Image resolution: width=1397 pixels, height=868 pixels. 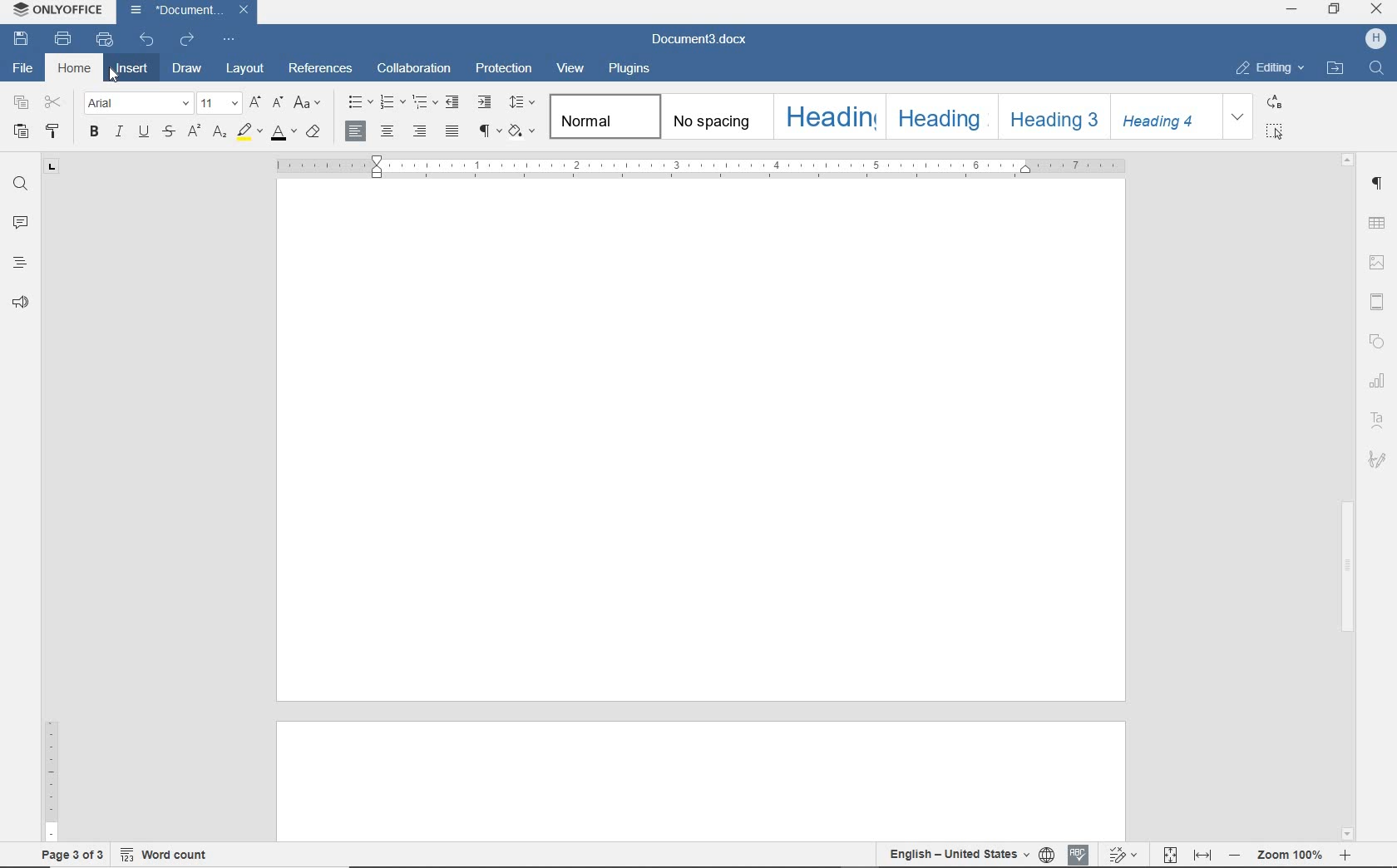 What do you see at coordinates (1336, 70) in the screenshot?
I see `OPEN FILE LOCATION` at bounding box center [1336, 70].